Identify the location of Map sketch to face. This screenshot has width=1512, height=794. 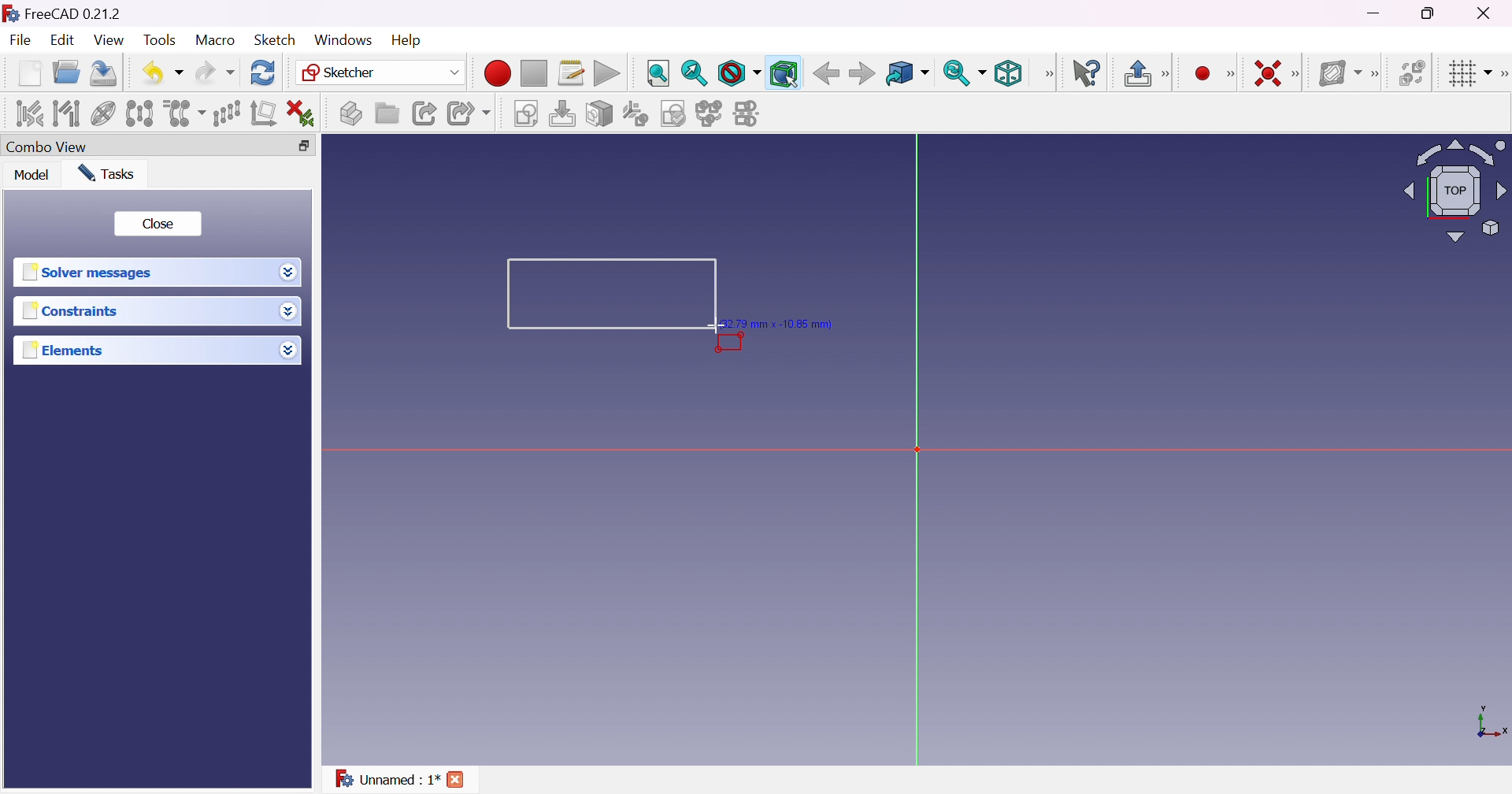
(598, 113).